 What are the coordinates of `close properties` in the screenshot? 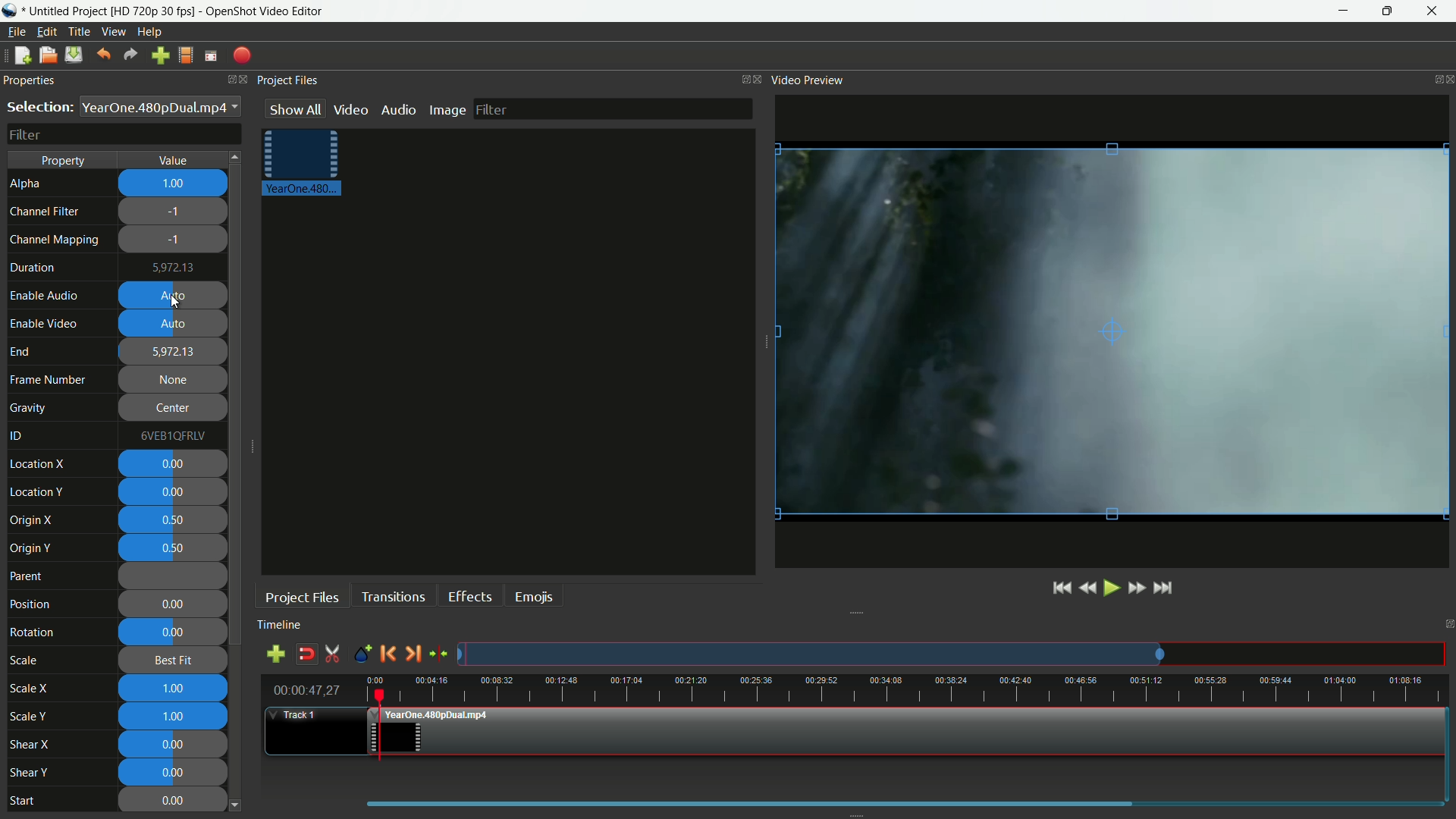 It's located at (239, 79).